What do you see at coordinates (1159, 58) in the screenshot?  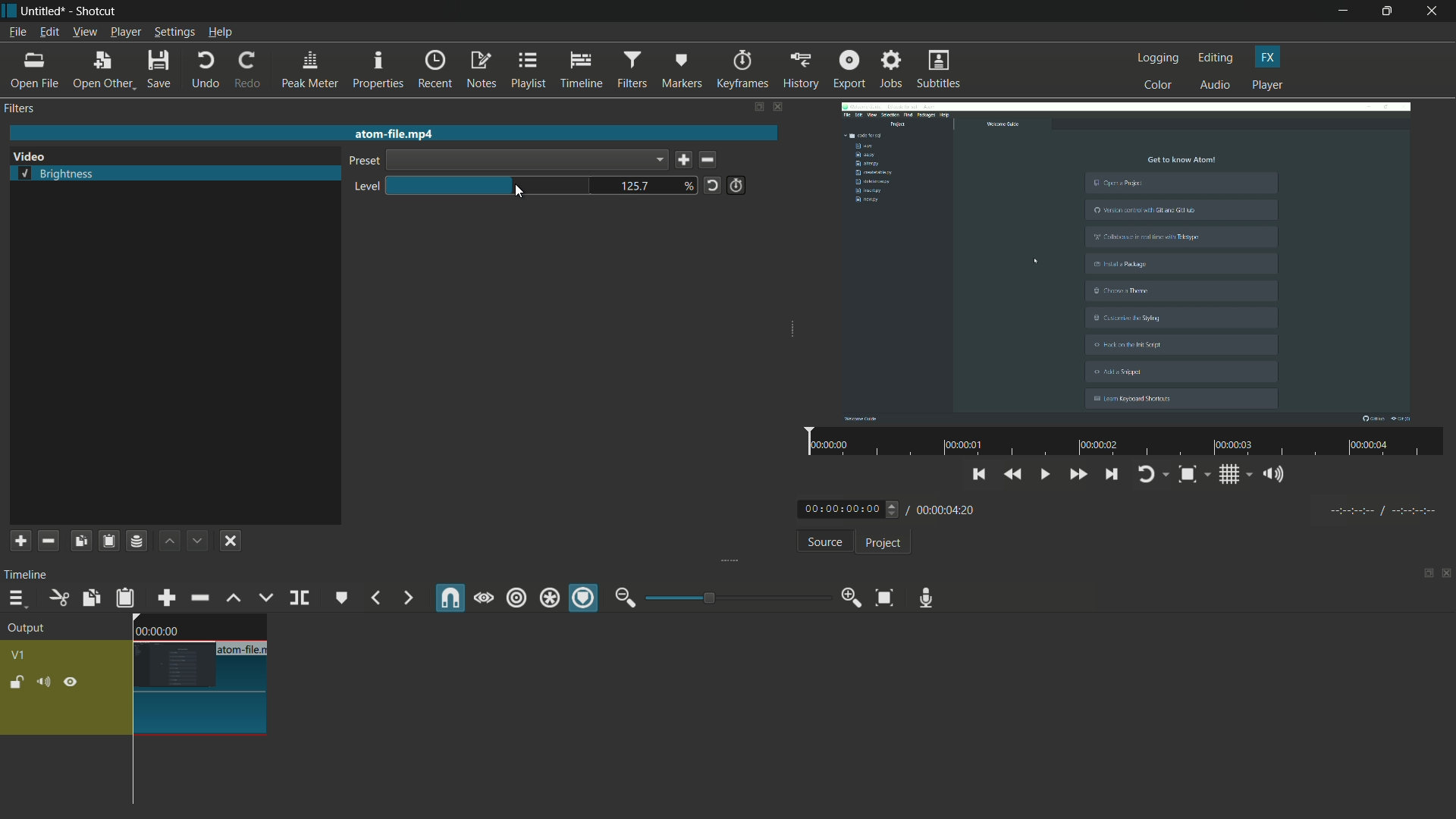 I see `logging` at bounding box center [1159, 58].